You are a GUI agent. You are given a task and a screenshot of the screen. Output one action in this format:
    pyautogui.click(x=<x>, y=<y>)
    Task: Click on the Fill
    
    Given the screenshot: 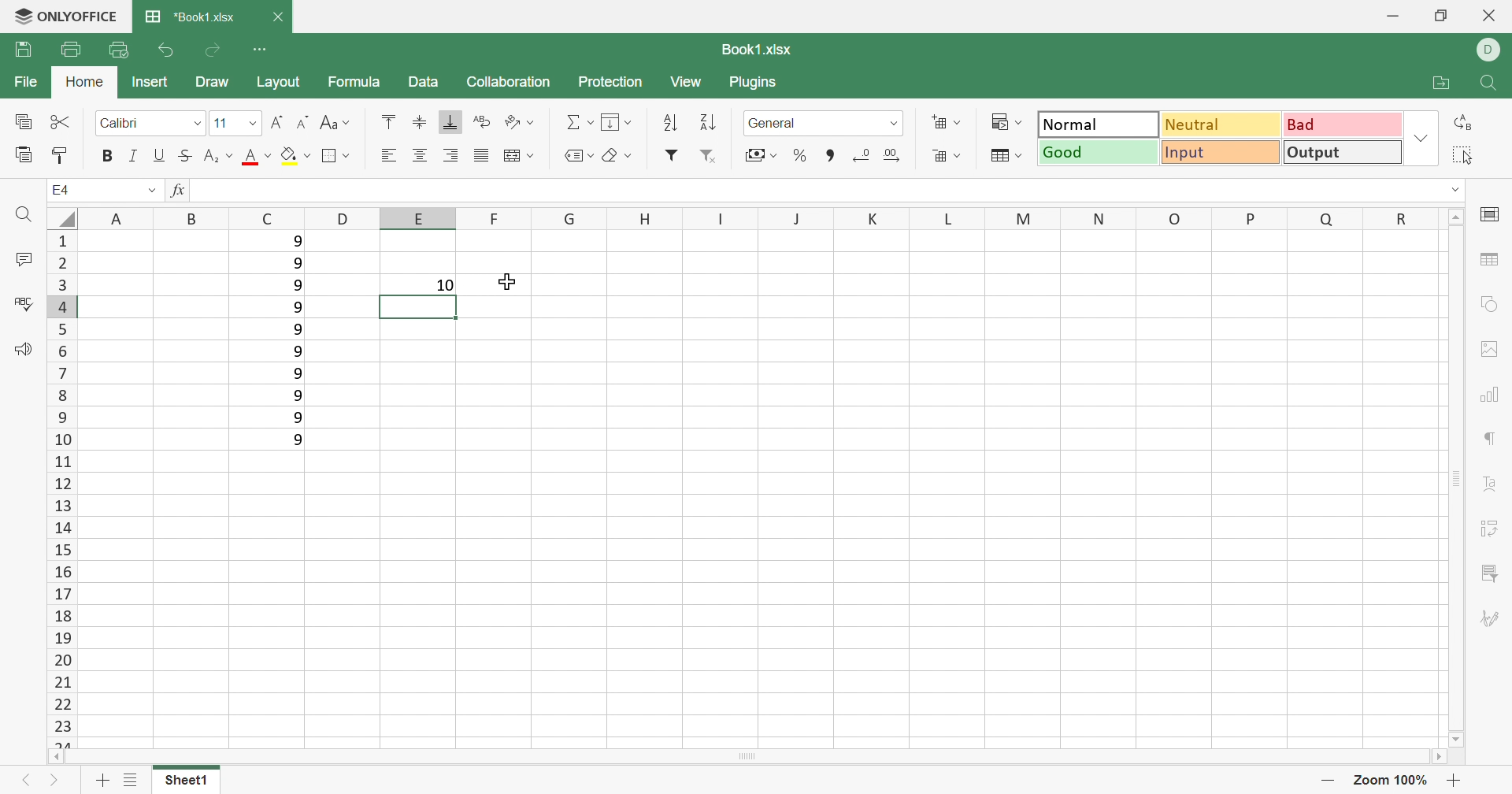 What is the action you would take?
    pyautogui.click(x=617, y=121)
    